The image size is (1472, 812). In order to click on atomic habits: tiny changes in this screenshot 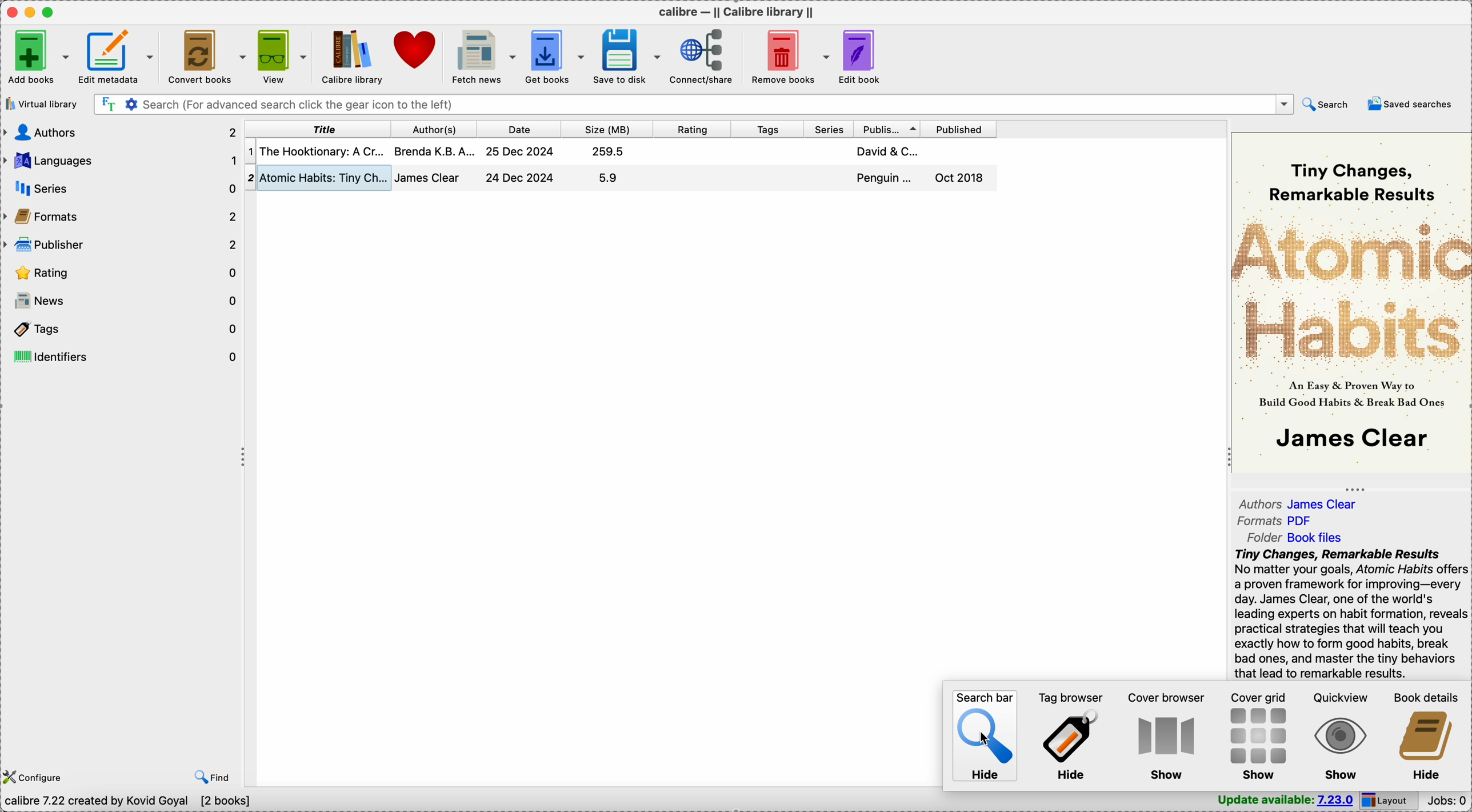, I will do `click(325, 178)`.